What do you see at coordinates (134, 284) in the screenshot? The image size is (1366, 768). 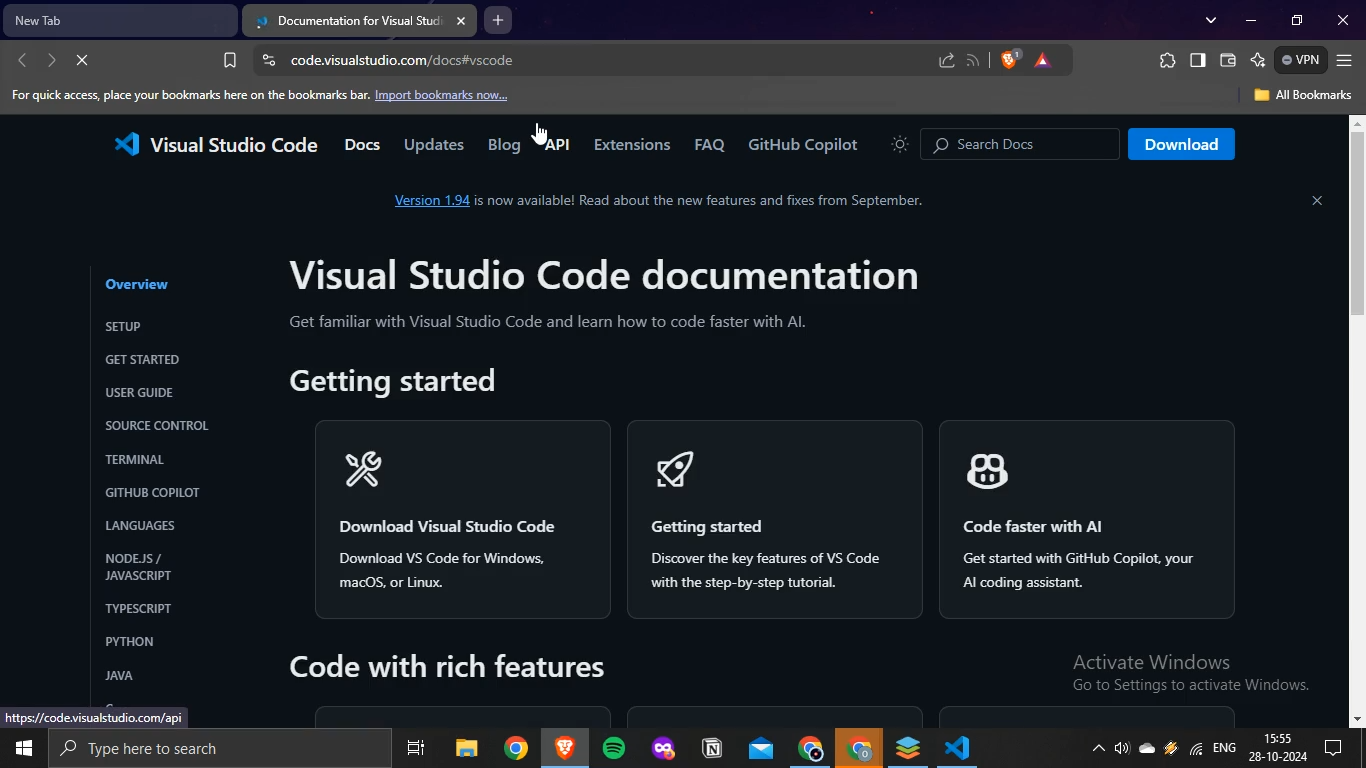 I see `Overview` at bounding box center [134, 284].